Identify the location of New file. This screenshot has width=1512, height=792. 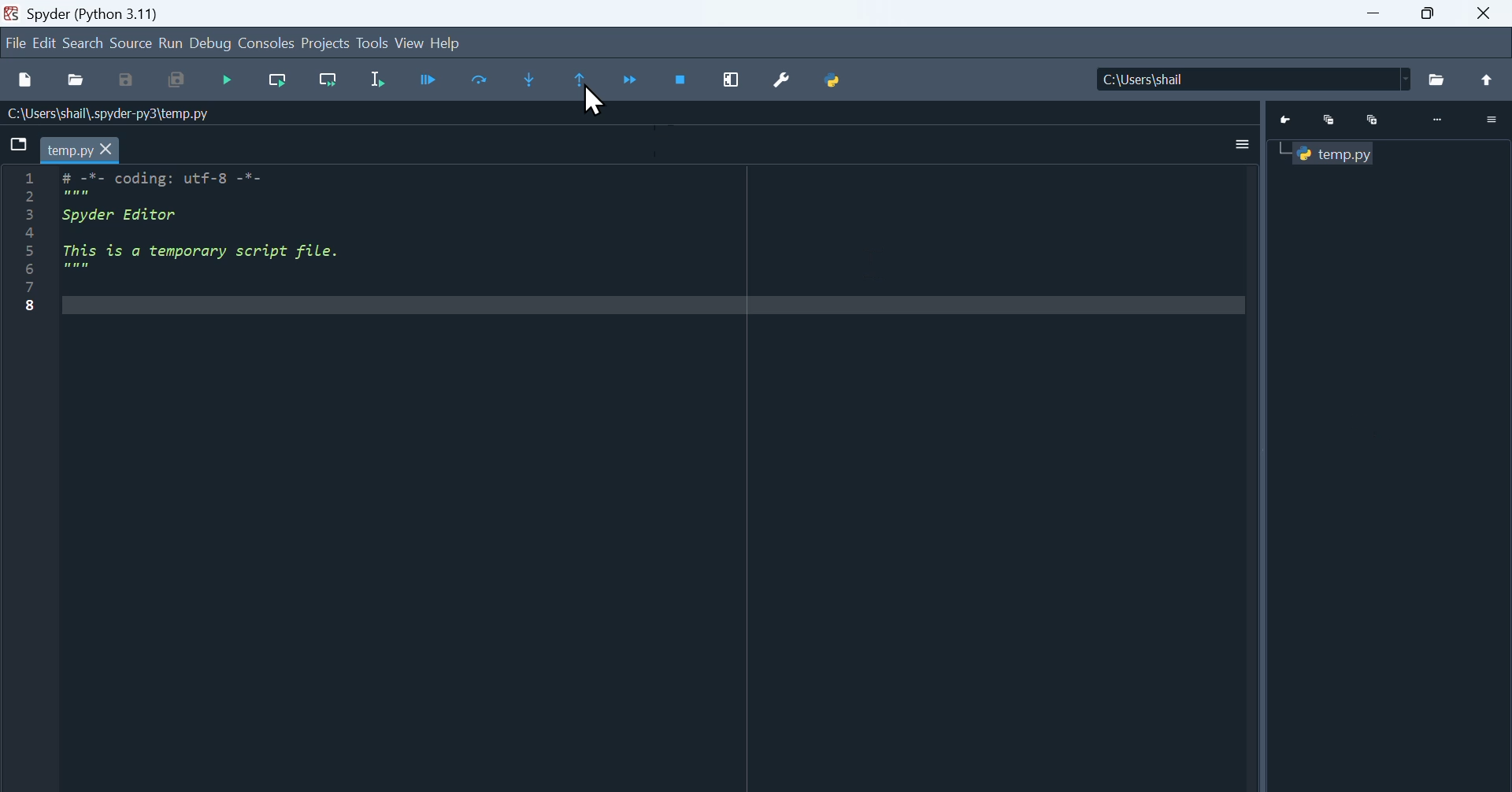
(28, 79).